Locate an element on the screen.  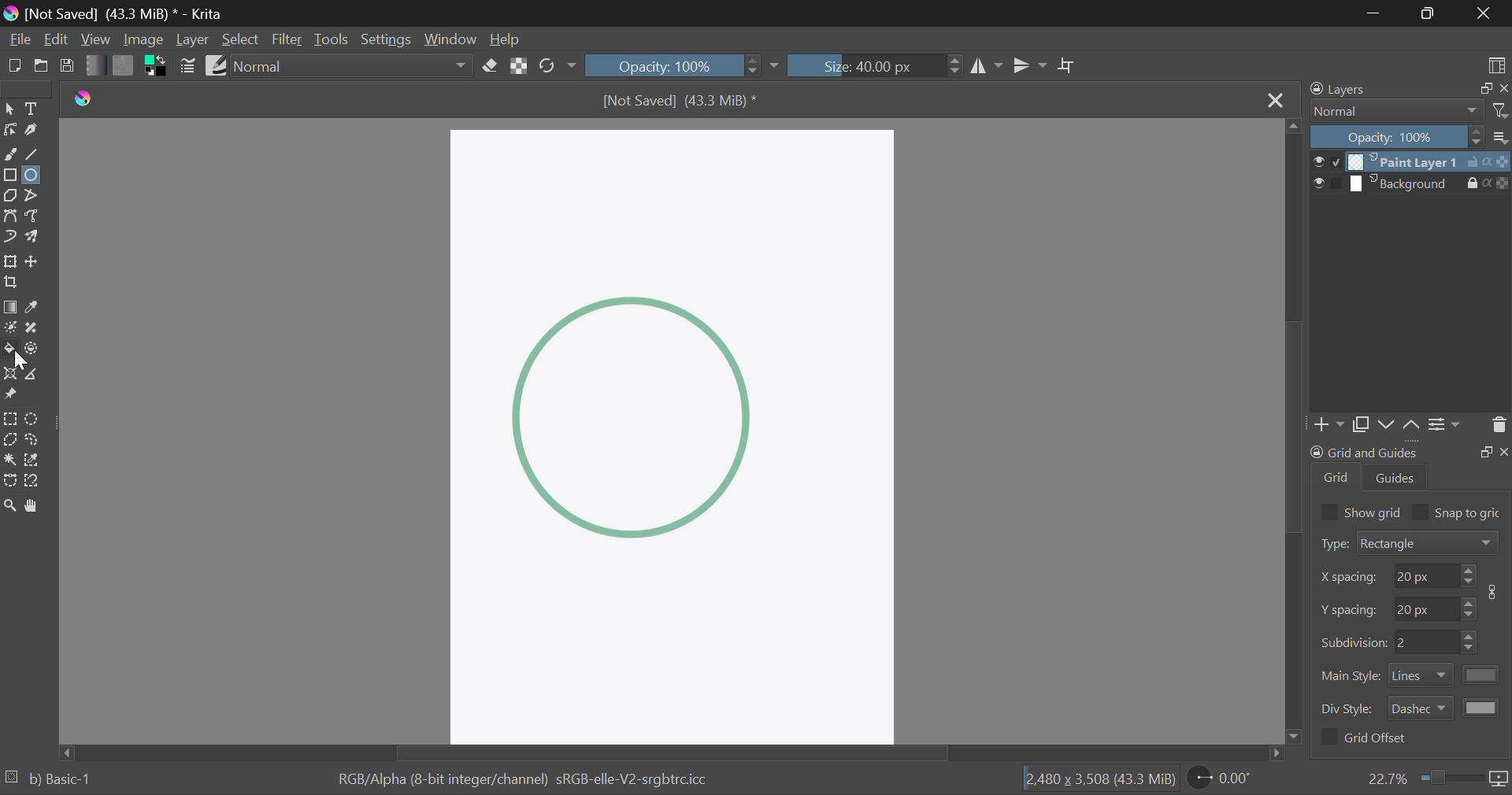
Snap to grid is located at coordinates (1460, 511).